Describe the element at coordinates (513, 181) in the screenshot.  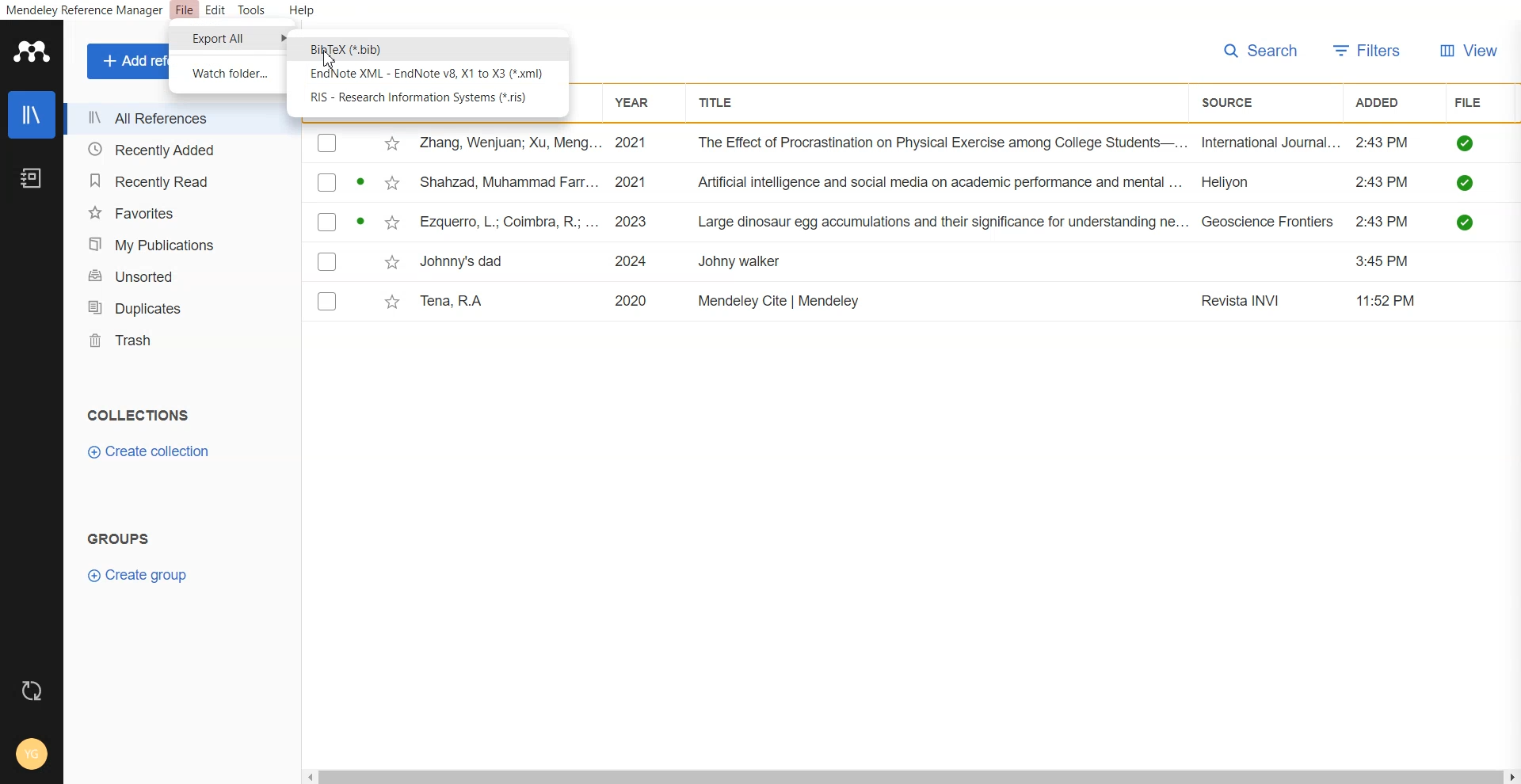
I see `Shahzad, Muhammad Farr.` at that location.